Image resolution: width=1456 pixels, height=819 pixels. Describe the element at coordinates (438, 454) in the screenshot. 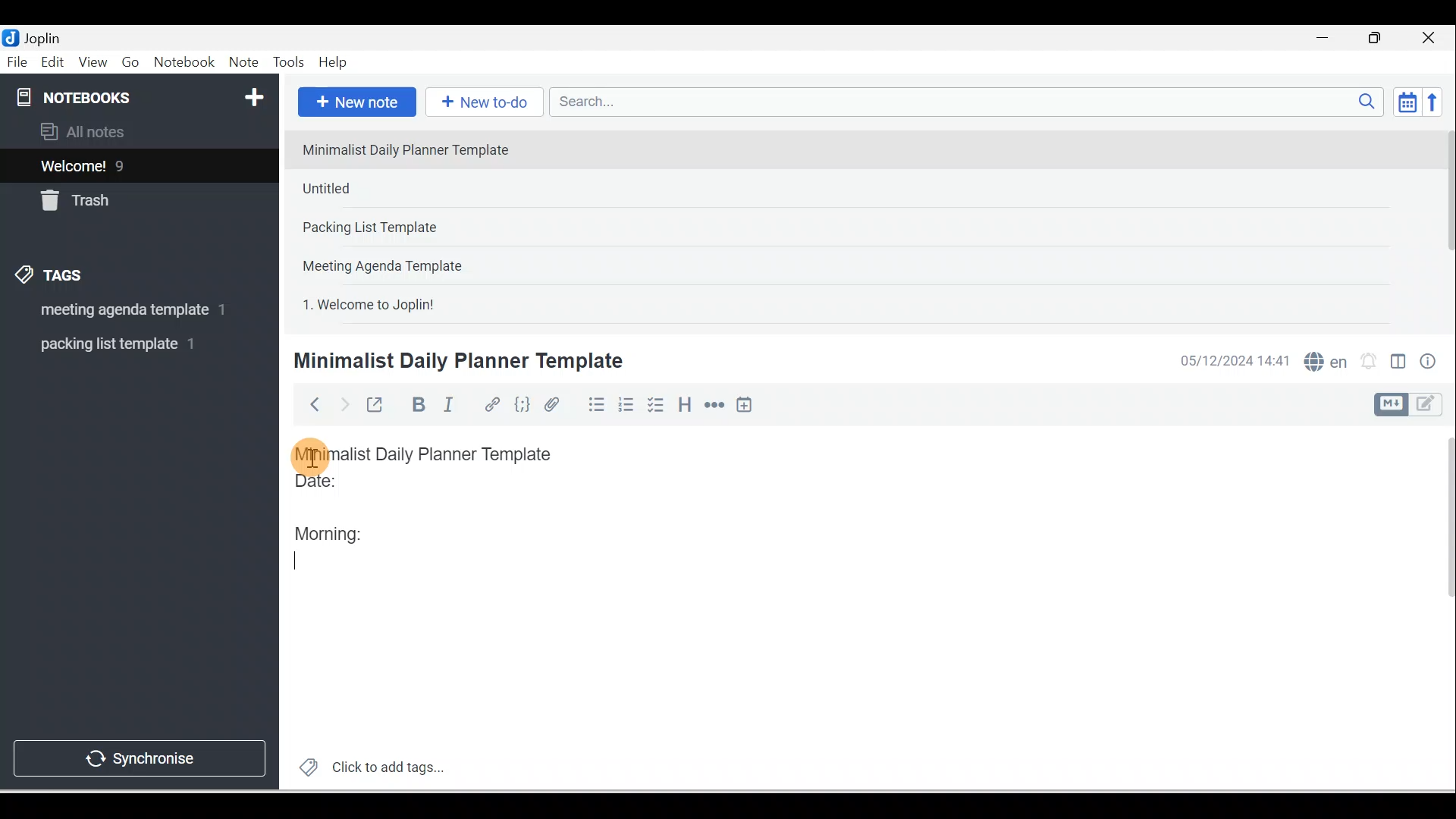

I see `Minimalist Daily Planner Template` at that location.